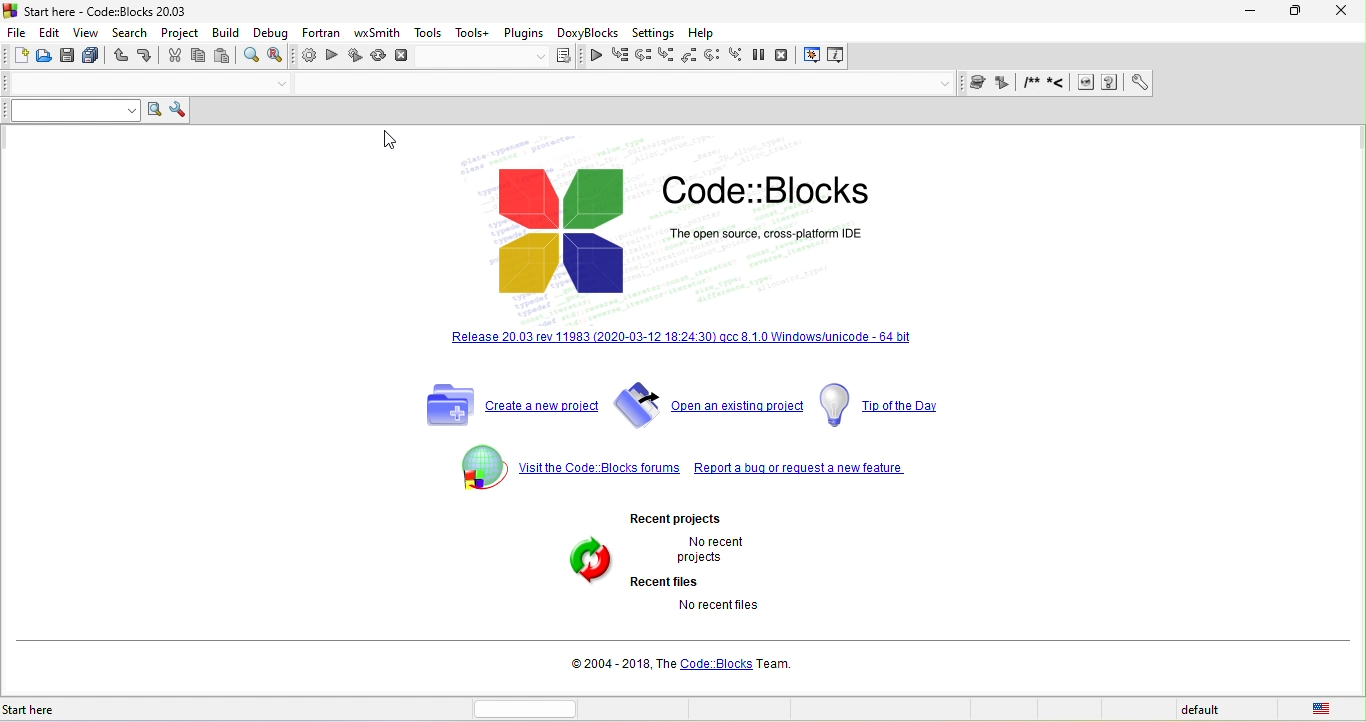 The image size is (1366, 722). Describe the element at coordinates (668, 56) in the screenshot. I see `step into` at that location.